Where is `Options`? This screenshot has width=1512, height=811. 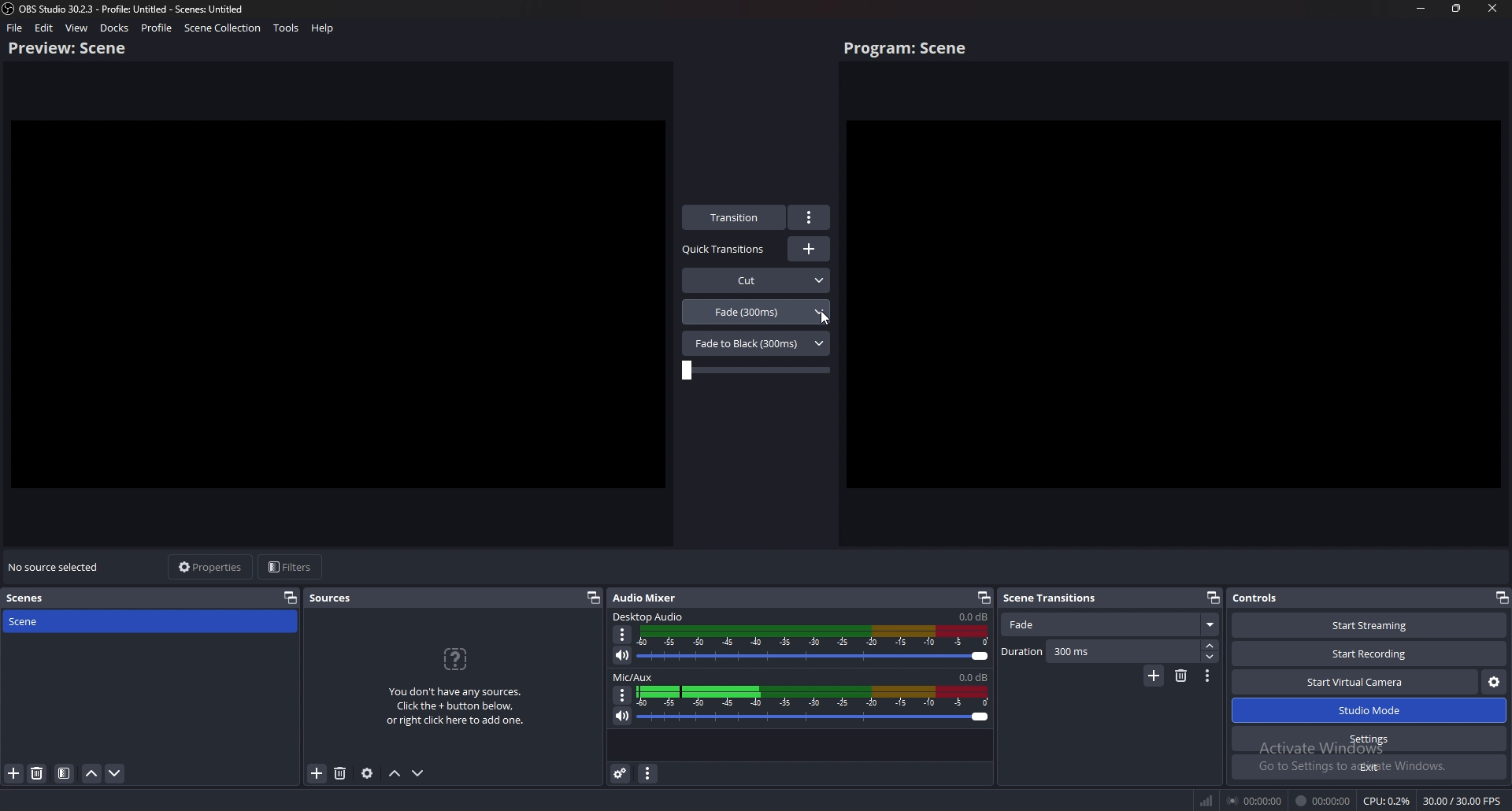 Options is located at coordinates (621, 694).